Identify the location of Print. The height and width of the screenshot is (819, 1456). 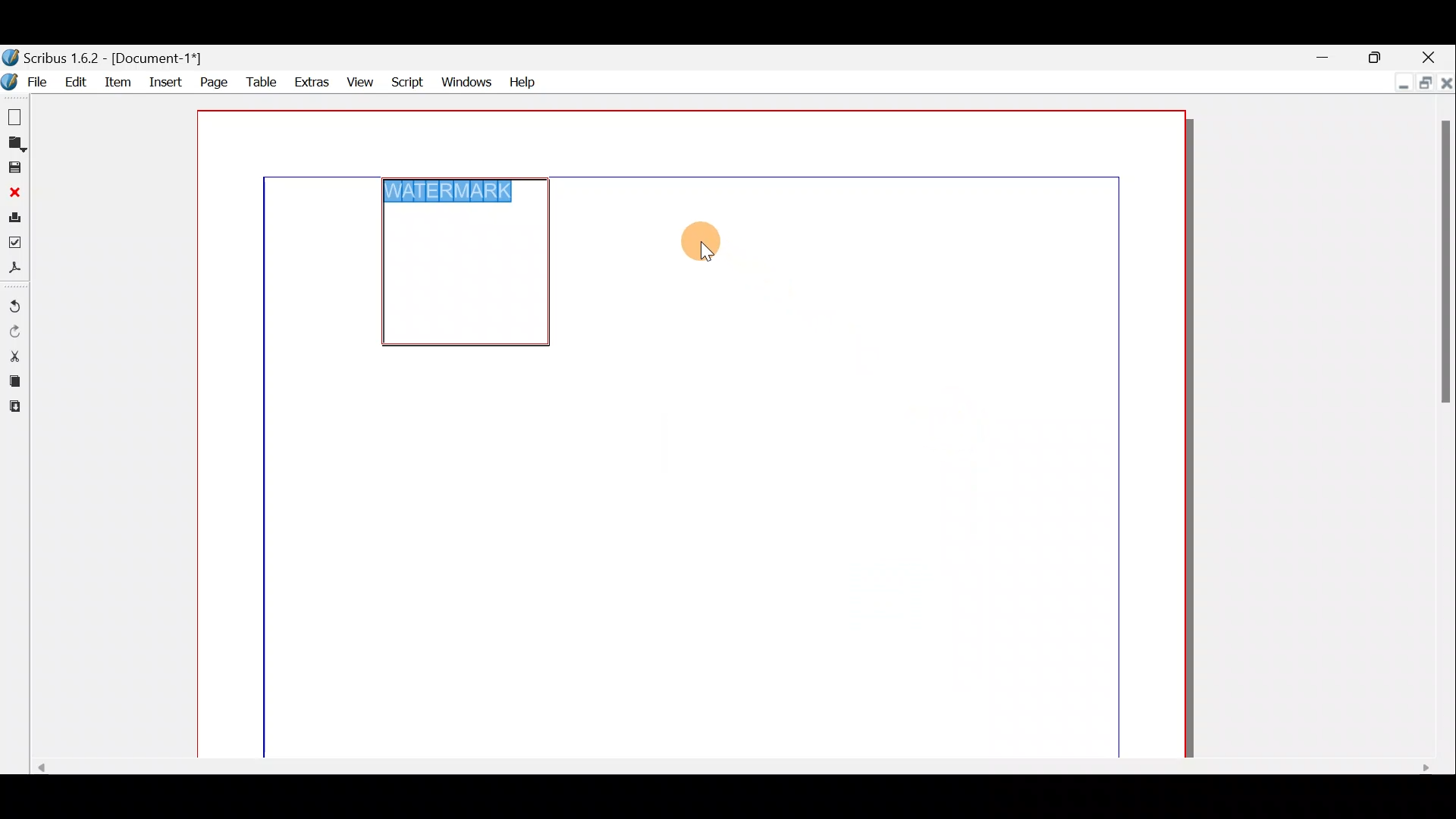
(14, 220).